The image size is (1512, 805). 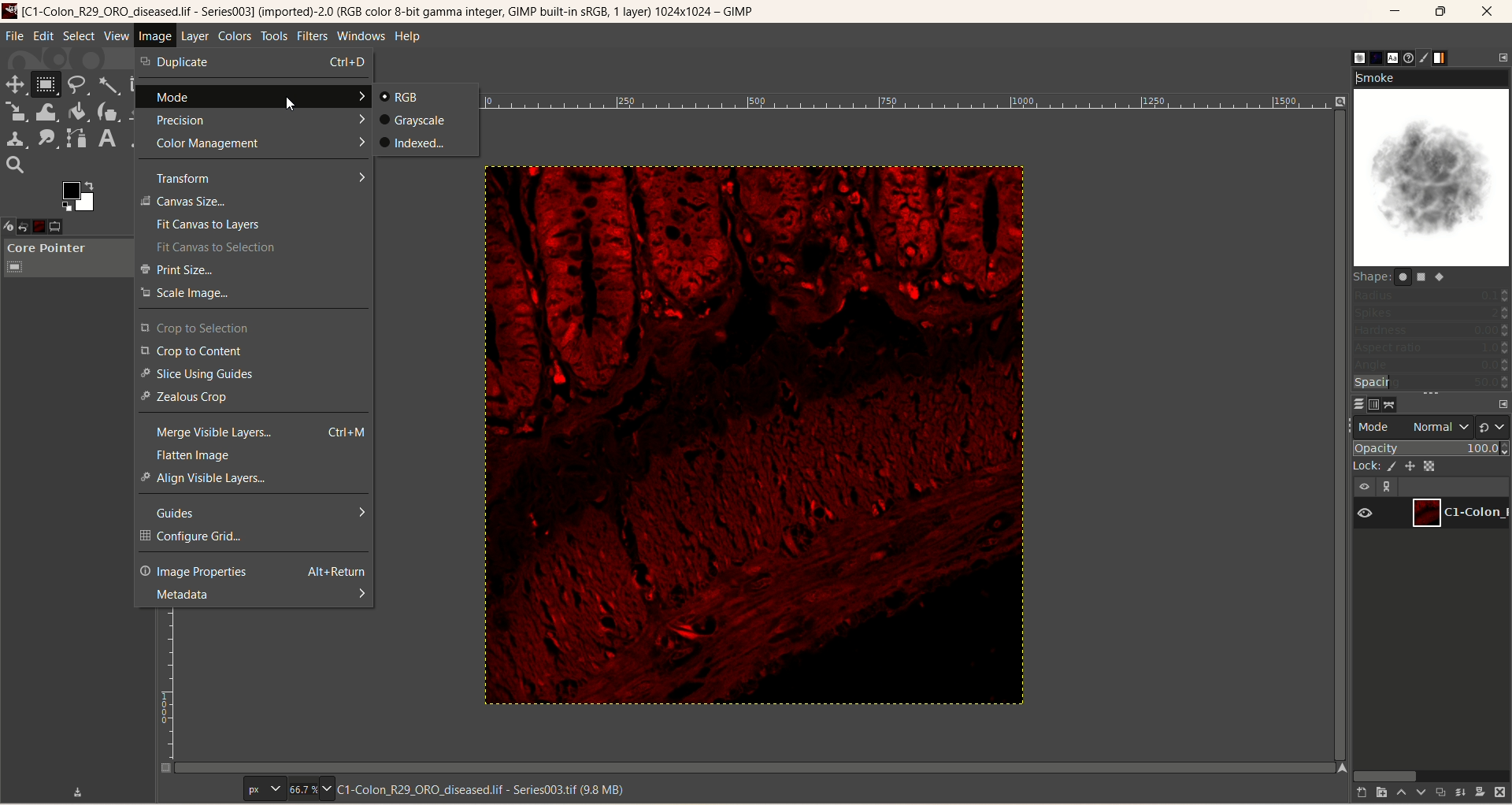 I want to click on configure this tab, so click(x=146, y=226).